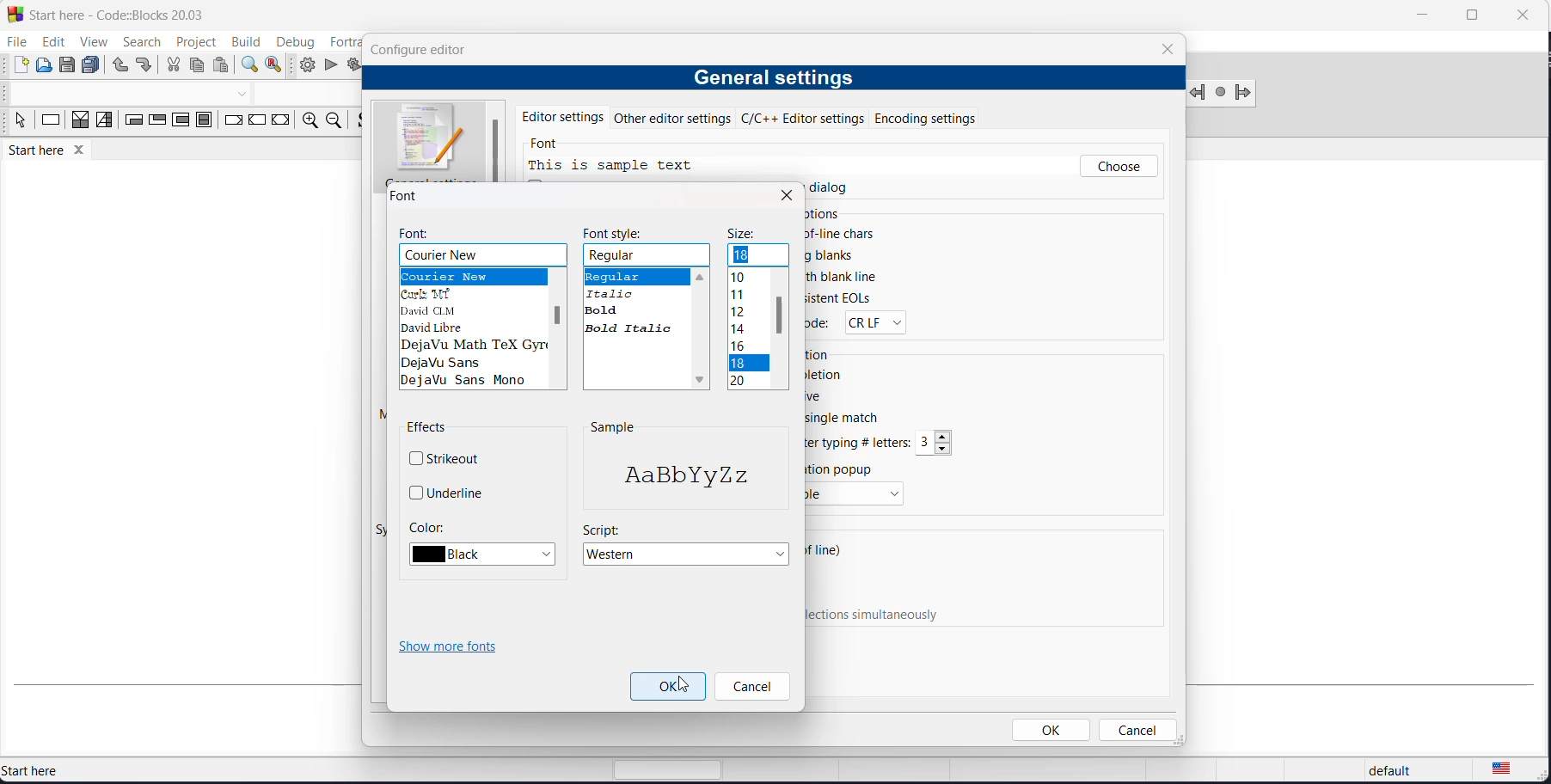 This screenshot has width=1551, height=784. What do you see at coordinates (844, 234) in the screenshot?
I see `of-line chars` at bounding box center [844, 234].